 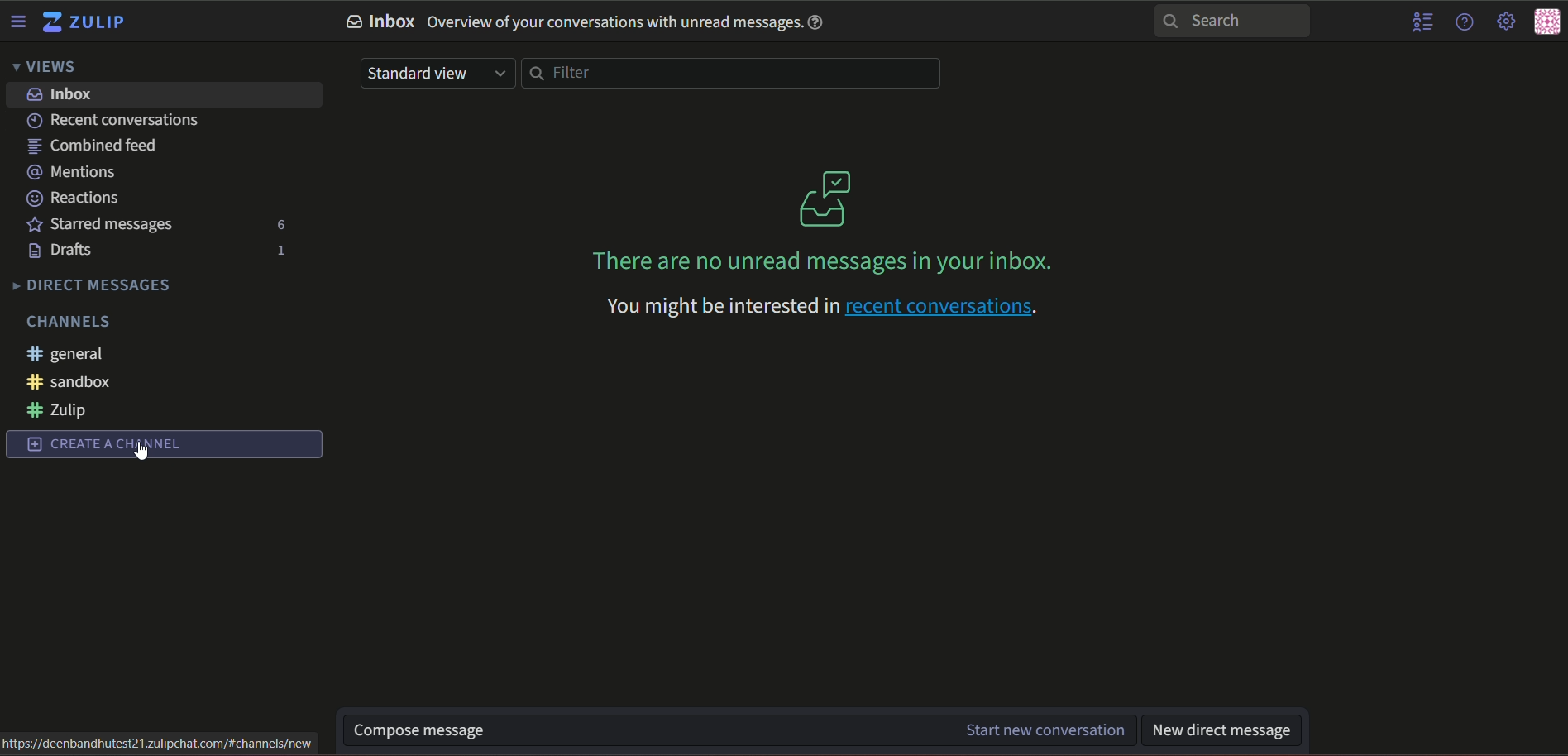 I want to click on help menu, so click(x=1465, y=22).